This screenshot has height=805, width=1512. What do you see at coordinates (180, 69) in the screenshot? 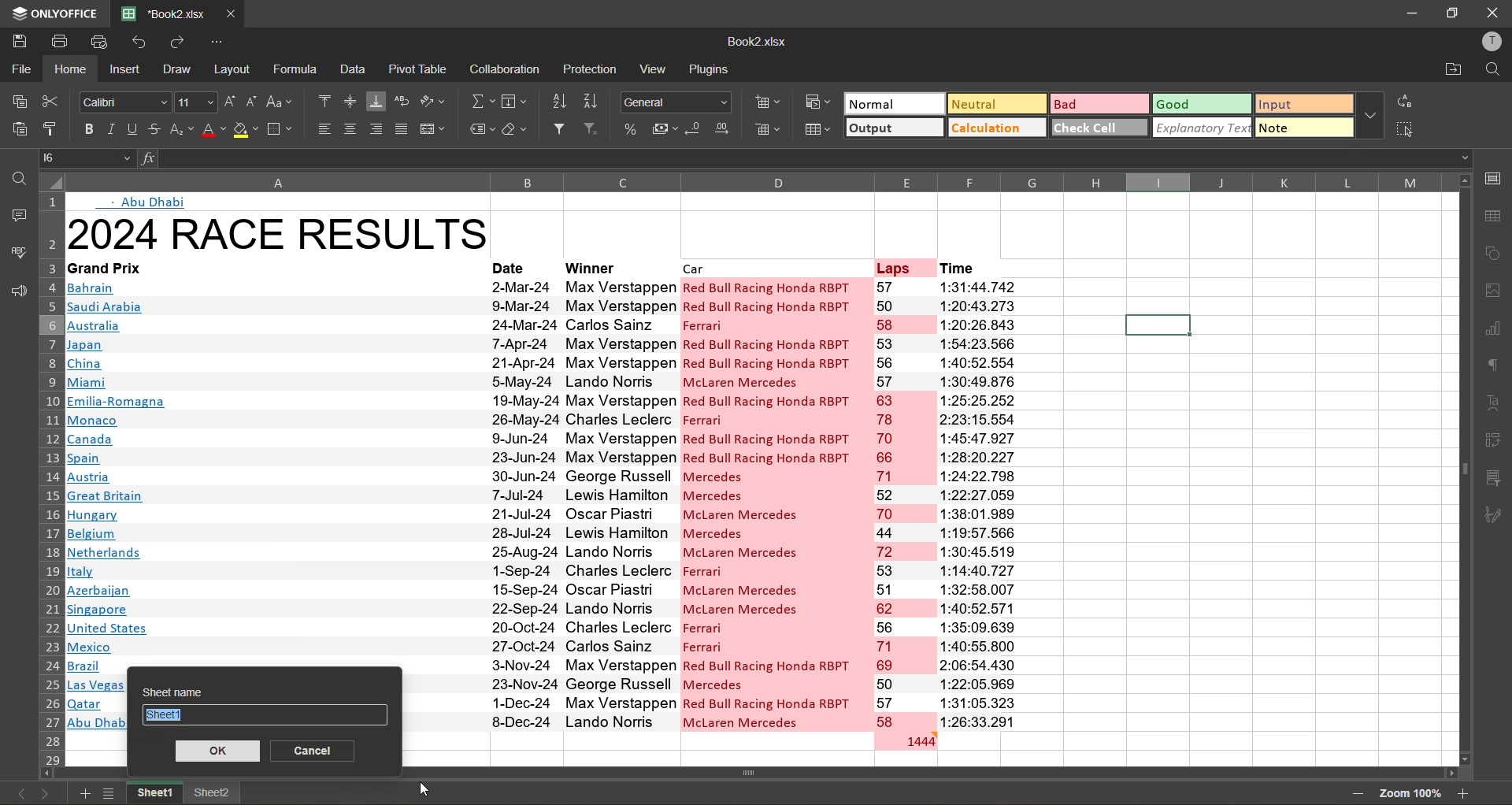
I see `draw` at bounding box center [180, 69].